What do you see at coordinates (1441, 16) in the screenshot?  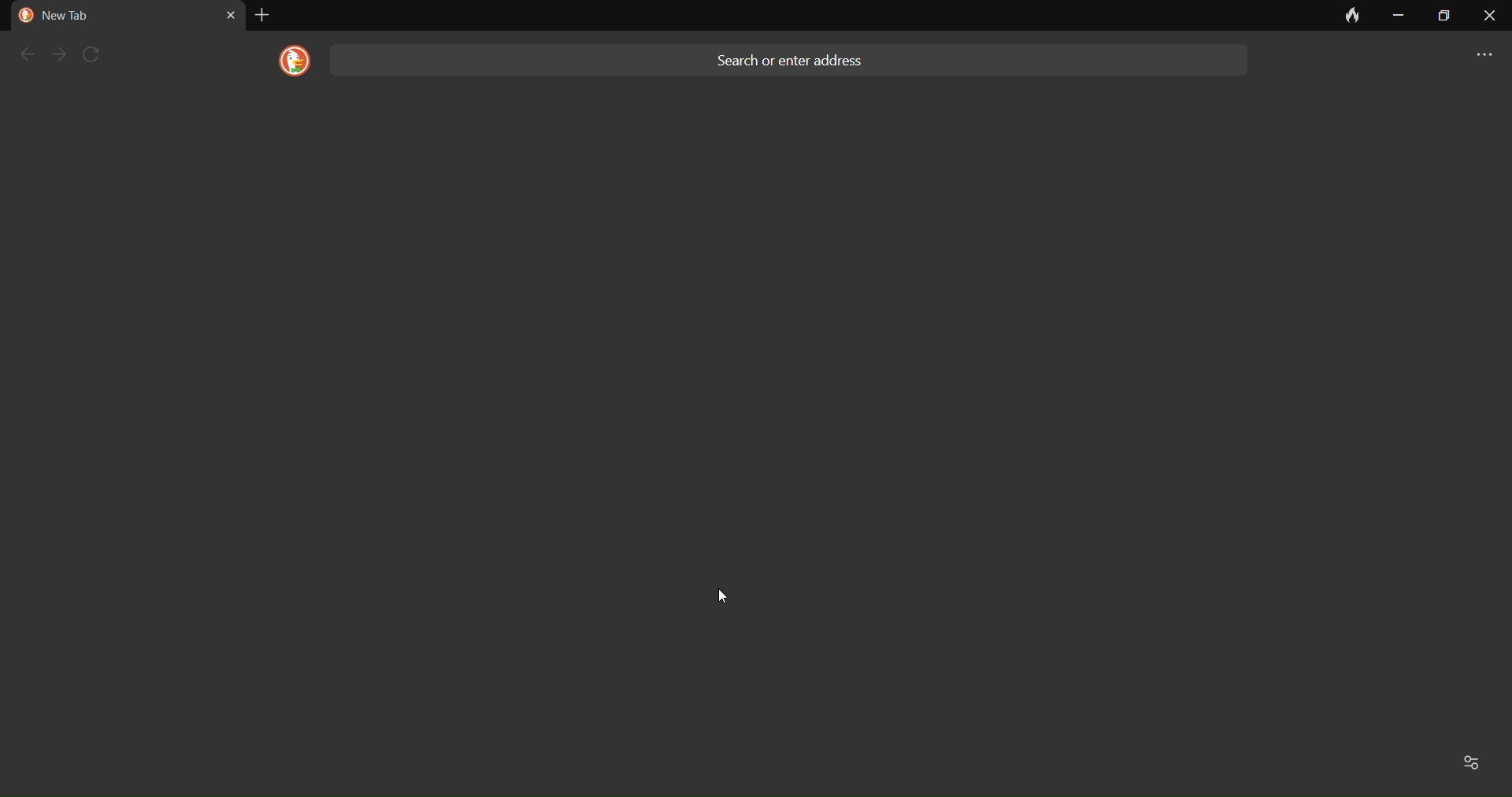 I see `maximize` at bounding box center [1441, 16].